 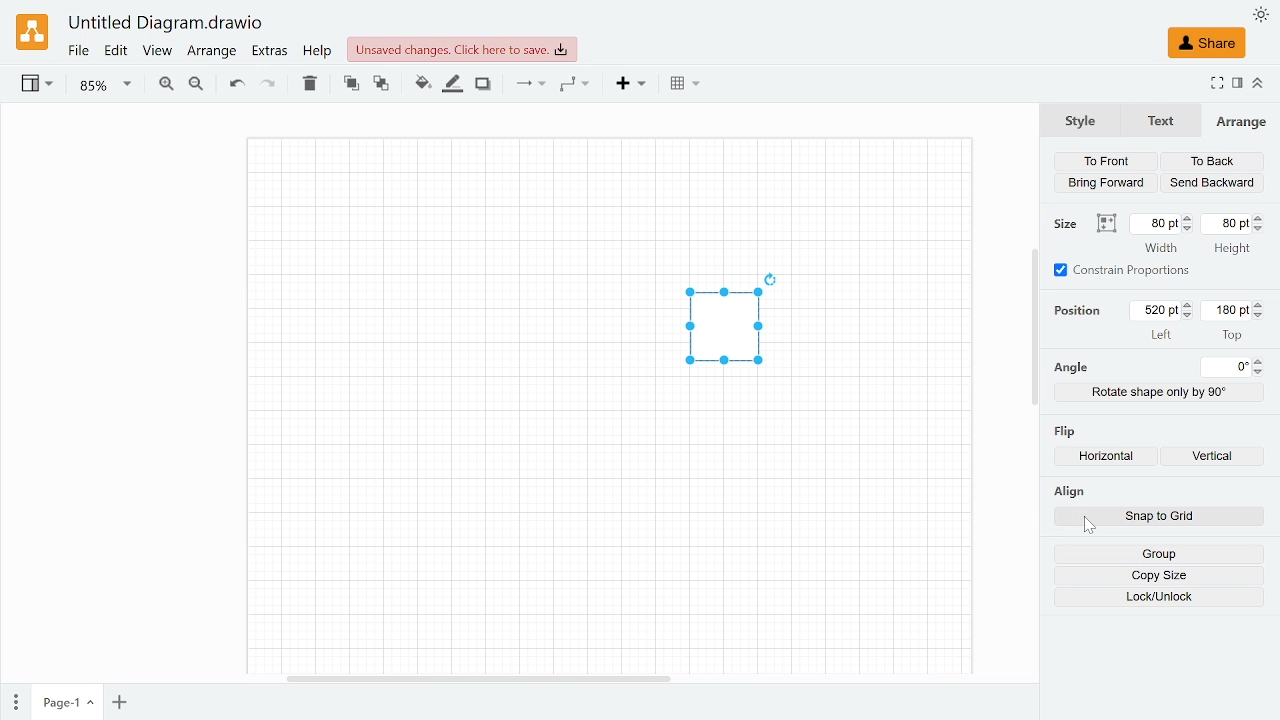 I want to click on Constrain proportions, so click(x=1123, y=270).